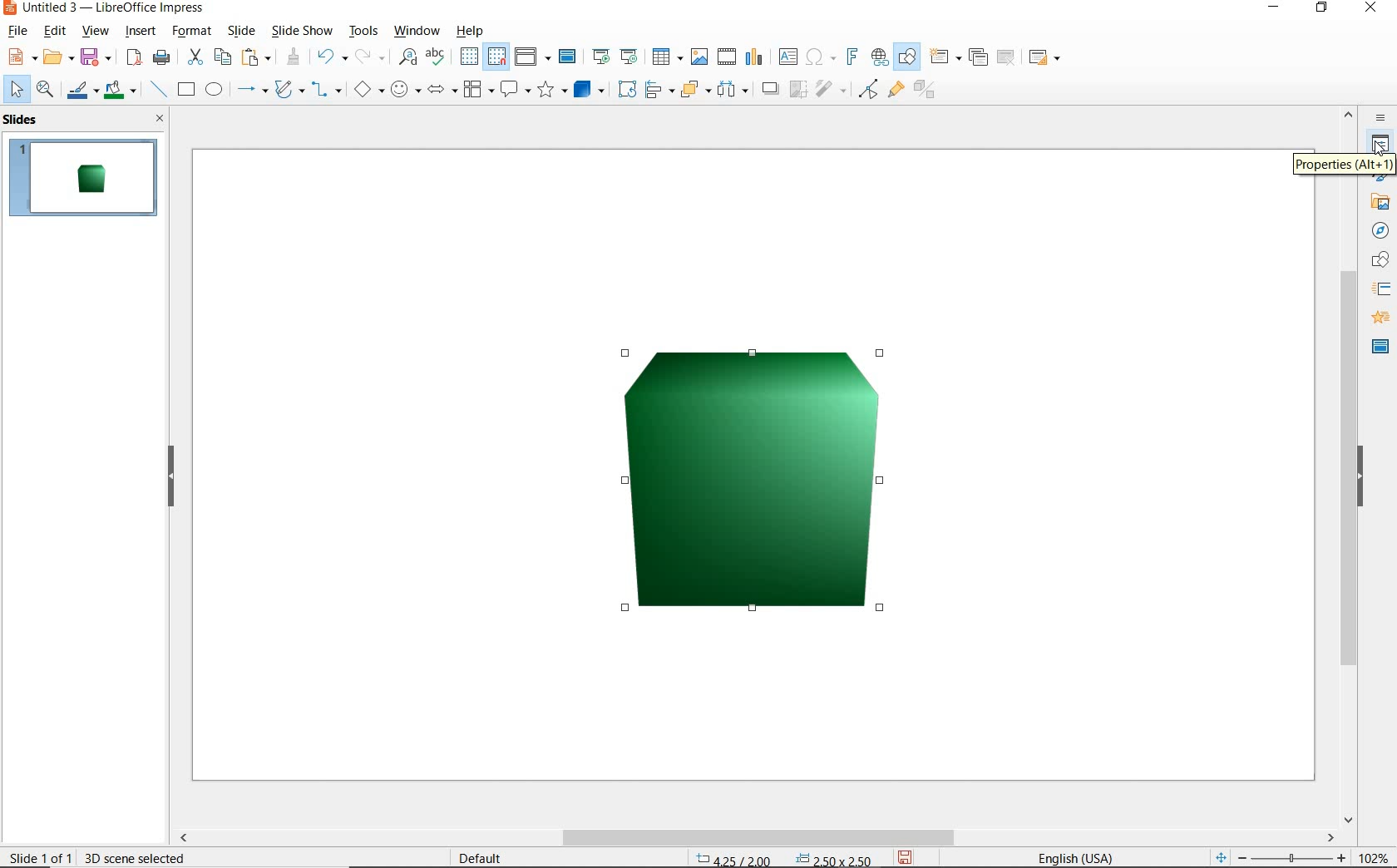 The height and width of the screenshot is (868, 1397). What do you see at coordinates (42, 855) in the screenshot?
I see `SLIDE 1 OF 1` at bounding box center [42, 855].